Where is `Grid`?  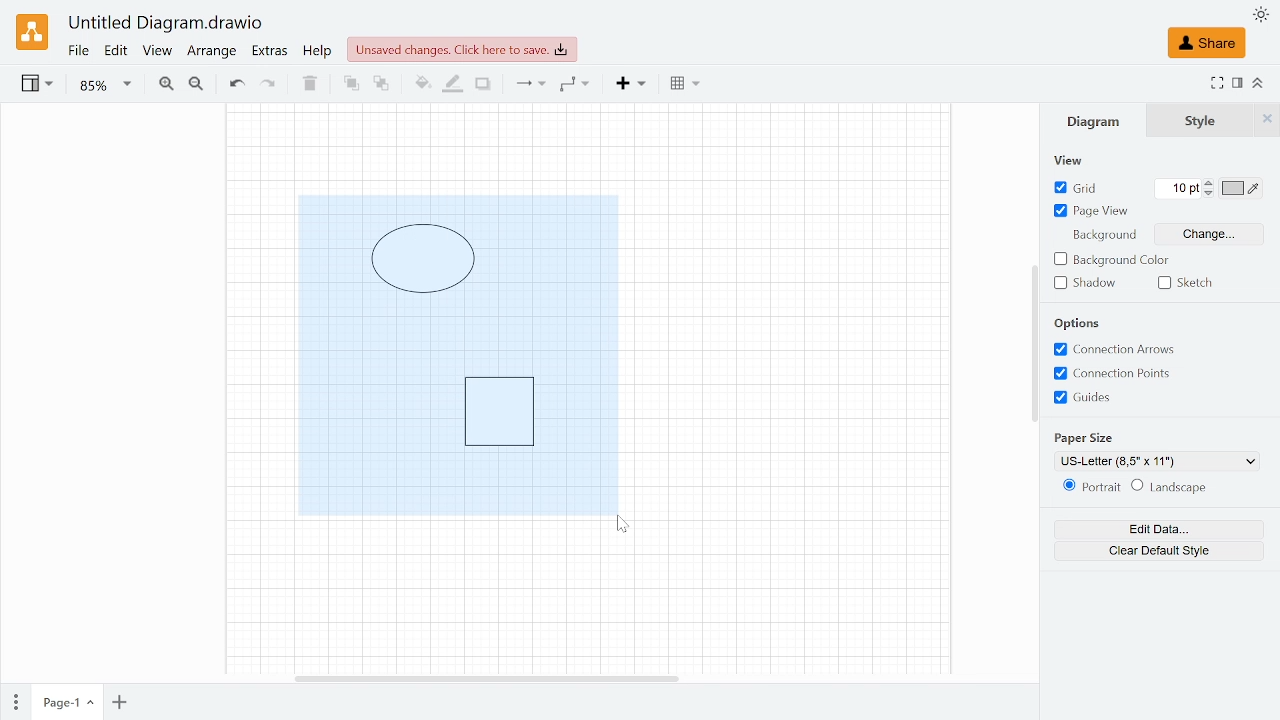
Grid is located at coordinates (1078, 189).